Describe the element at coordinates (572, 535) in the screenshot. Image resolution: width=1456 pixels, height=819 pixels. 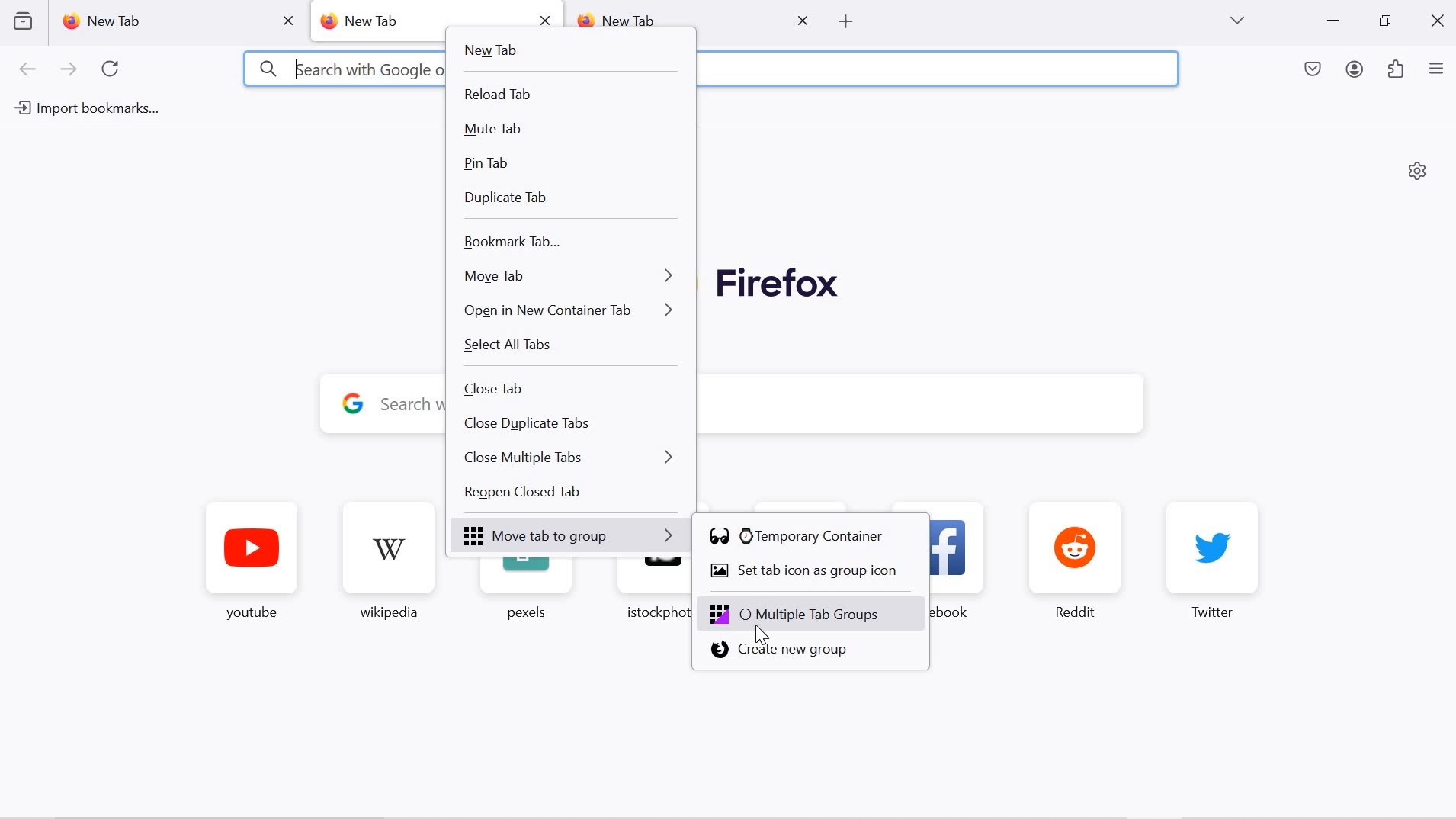
I see `Move tab to group` at that location.